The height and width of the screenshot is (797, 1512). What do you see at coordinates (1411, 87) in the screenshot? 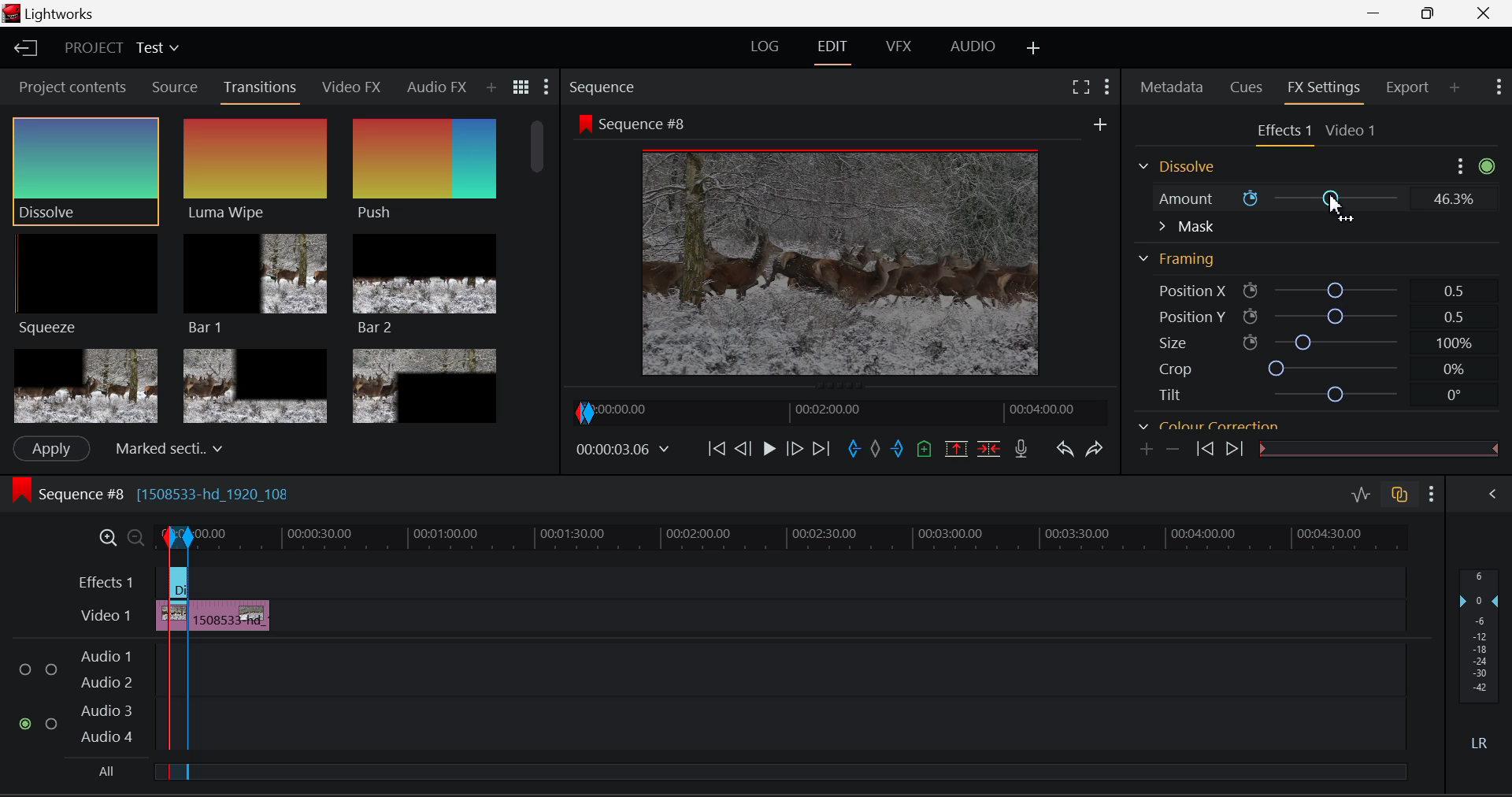
I see `Export` at bounding box center [1411, 87].